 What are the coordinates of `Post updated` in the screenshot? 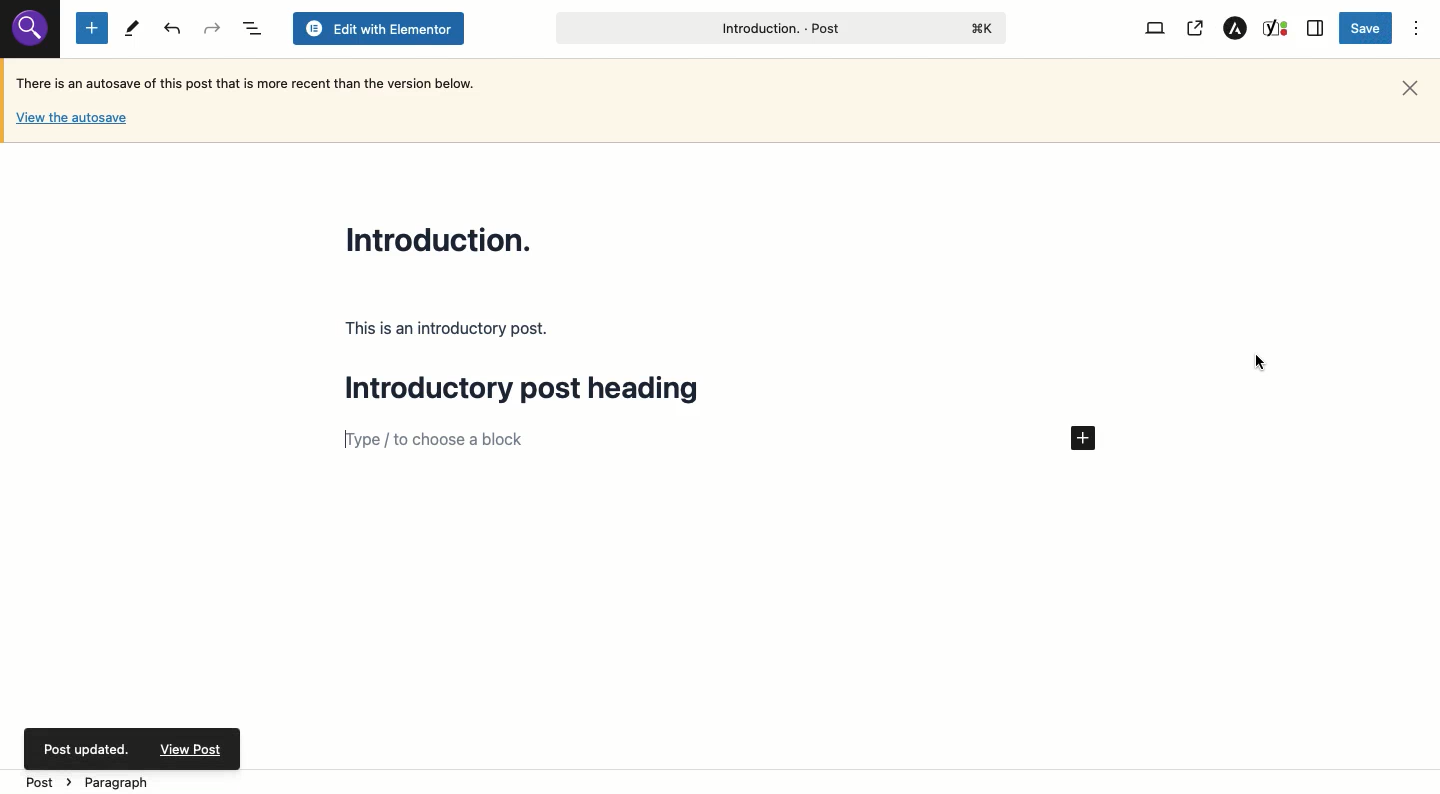 It's located at (135, 749).